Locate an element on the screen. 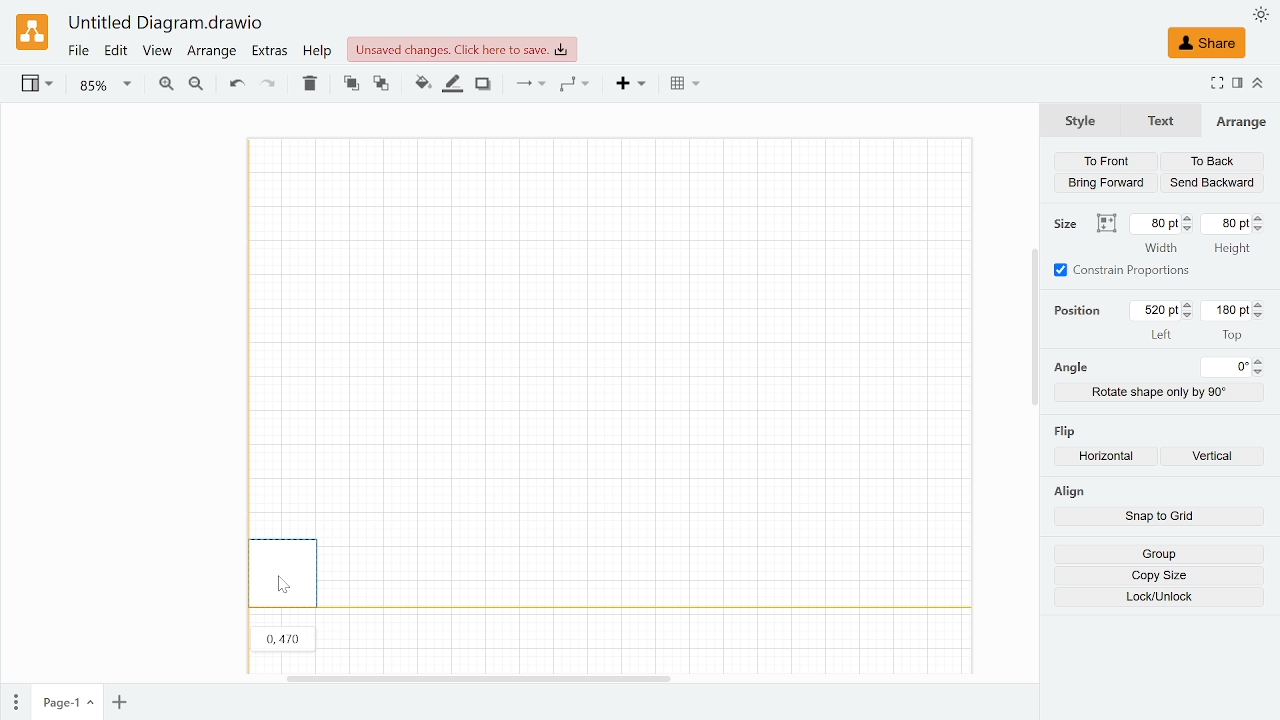 This screenshot has width=1280, height=720. Decrease angle is located at coordinates (1261, 372).